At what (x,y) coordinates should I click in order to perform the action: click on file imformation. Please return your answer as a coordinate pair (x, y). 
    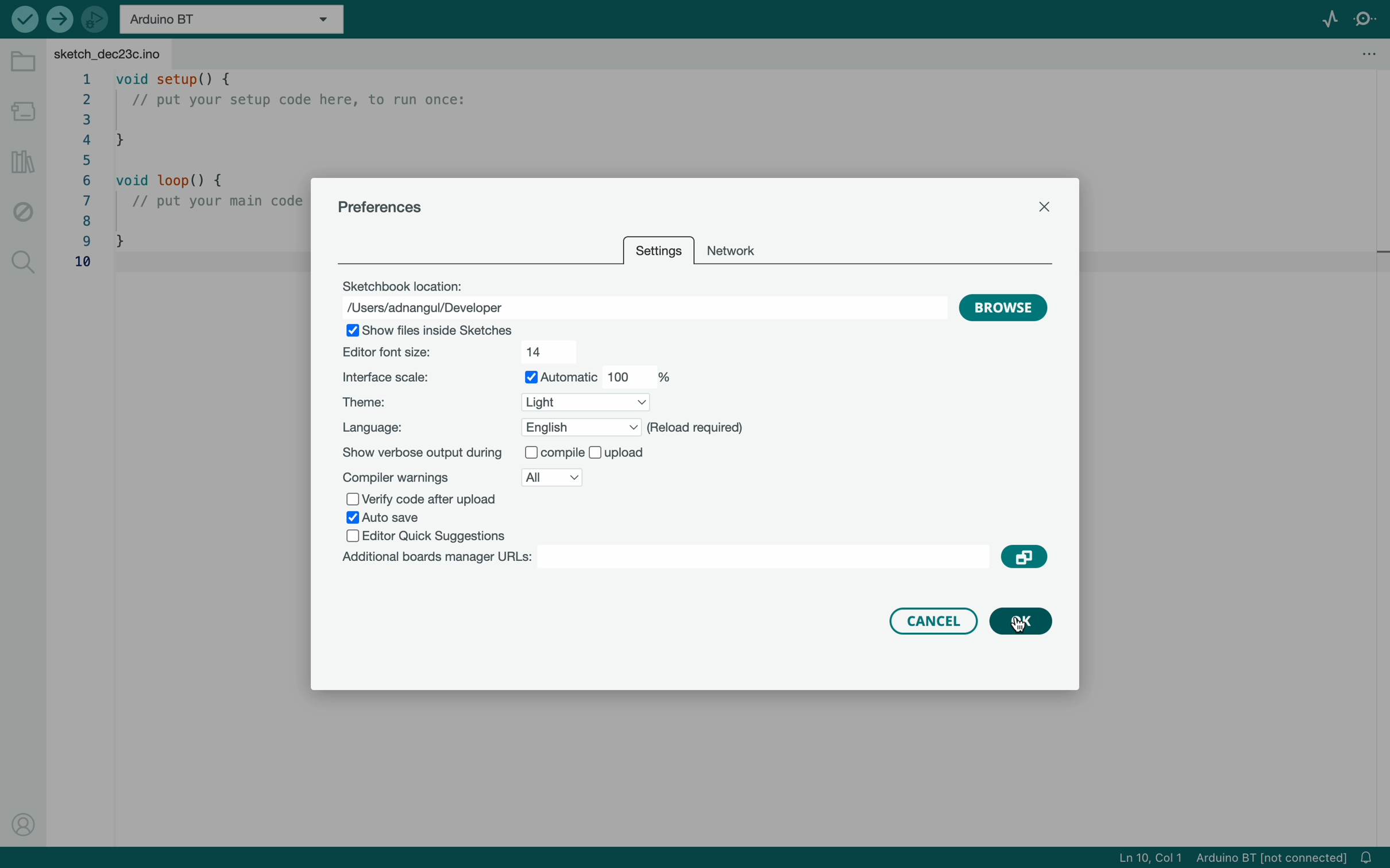
    Looking at the image, I should click on (1220, 858).